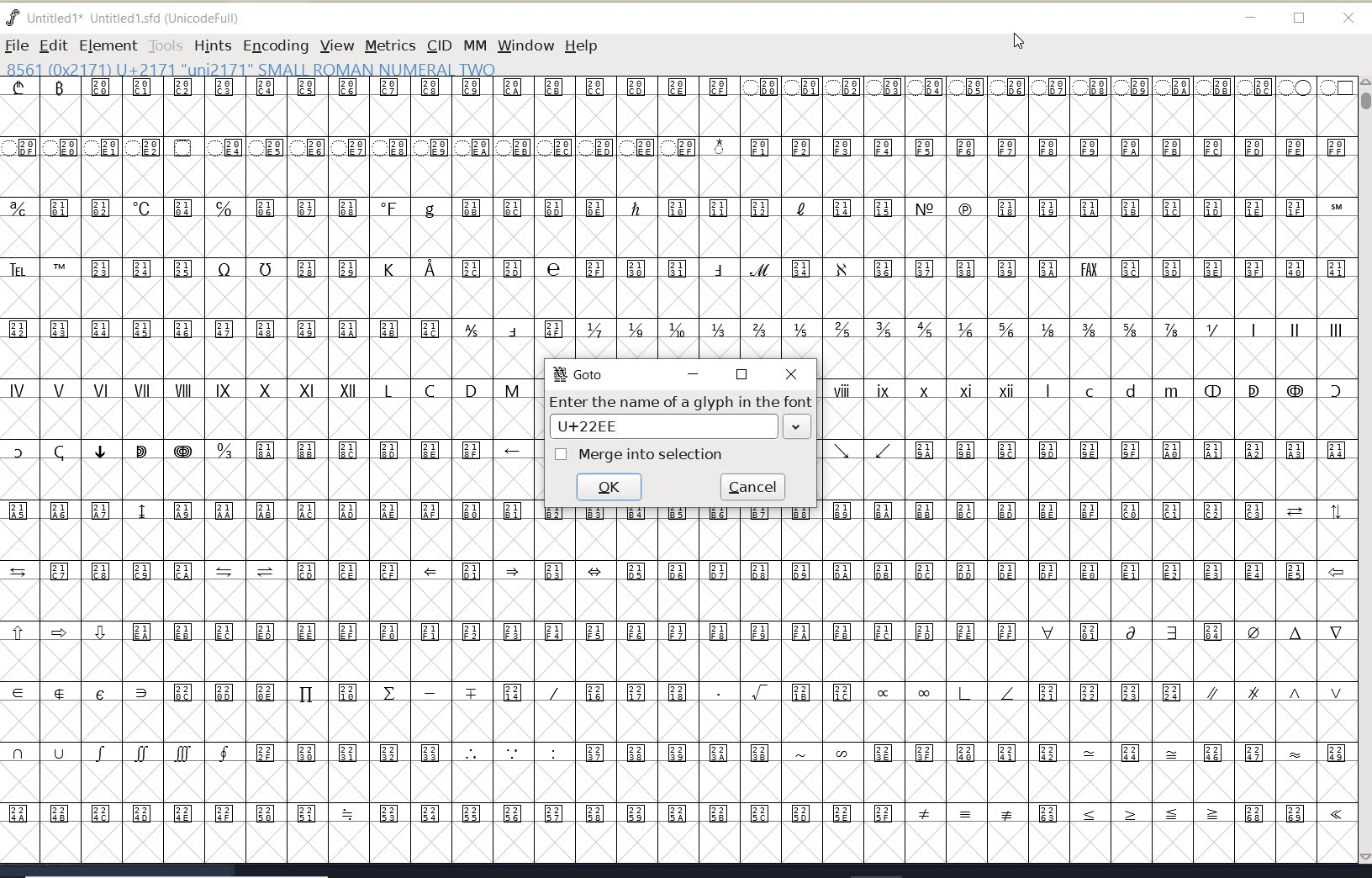  What do you see at coordinates (638, 454) in the screenshot?
I see `merge into selection` at bounding box center [638, 454].